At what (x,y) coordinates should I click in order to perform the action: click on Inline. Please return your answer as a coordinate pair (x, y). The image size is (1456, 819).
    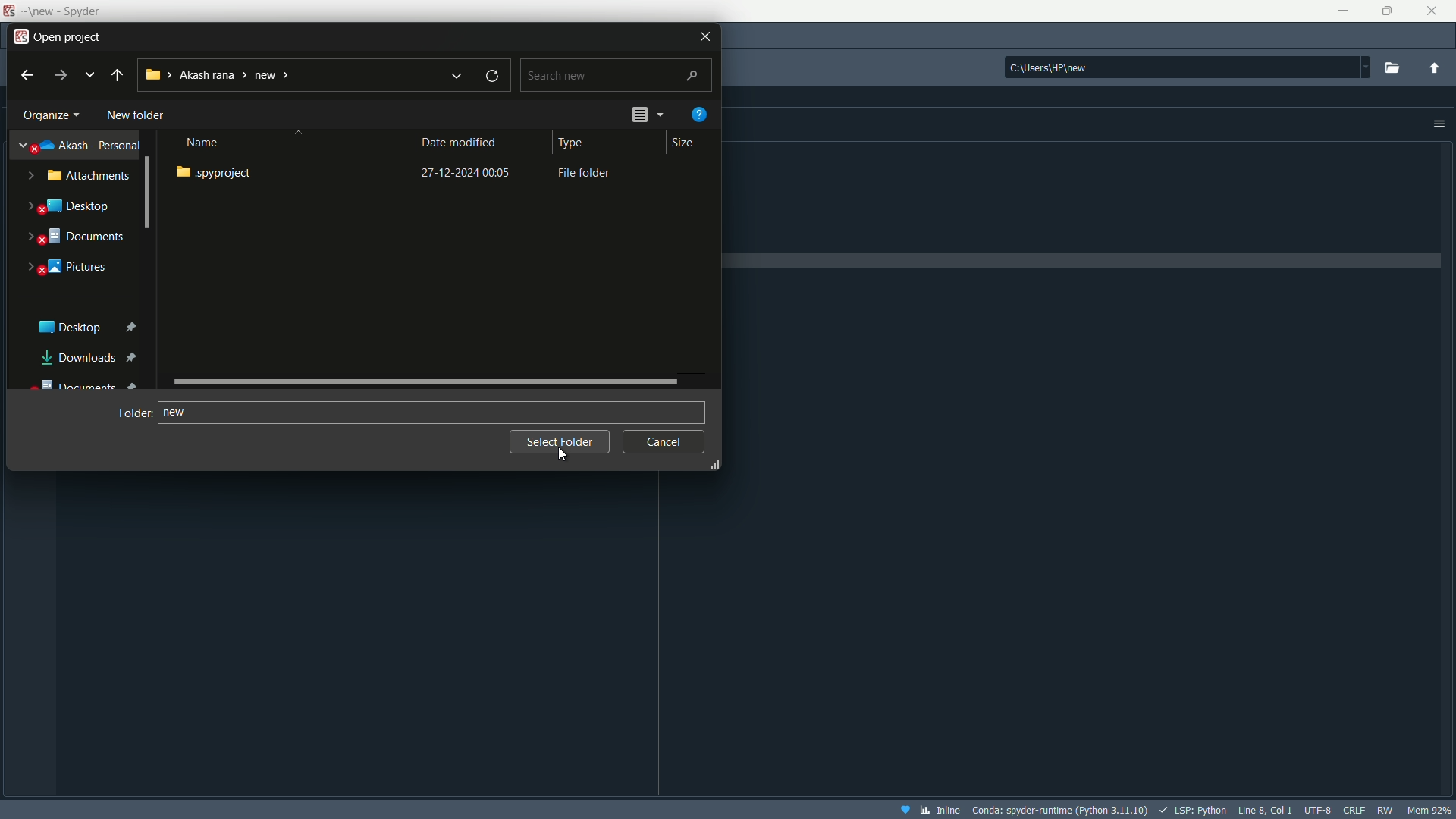
    Looking at the image, I should click on (930, 809).